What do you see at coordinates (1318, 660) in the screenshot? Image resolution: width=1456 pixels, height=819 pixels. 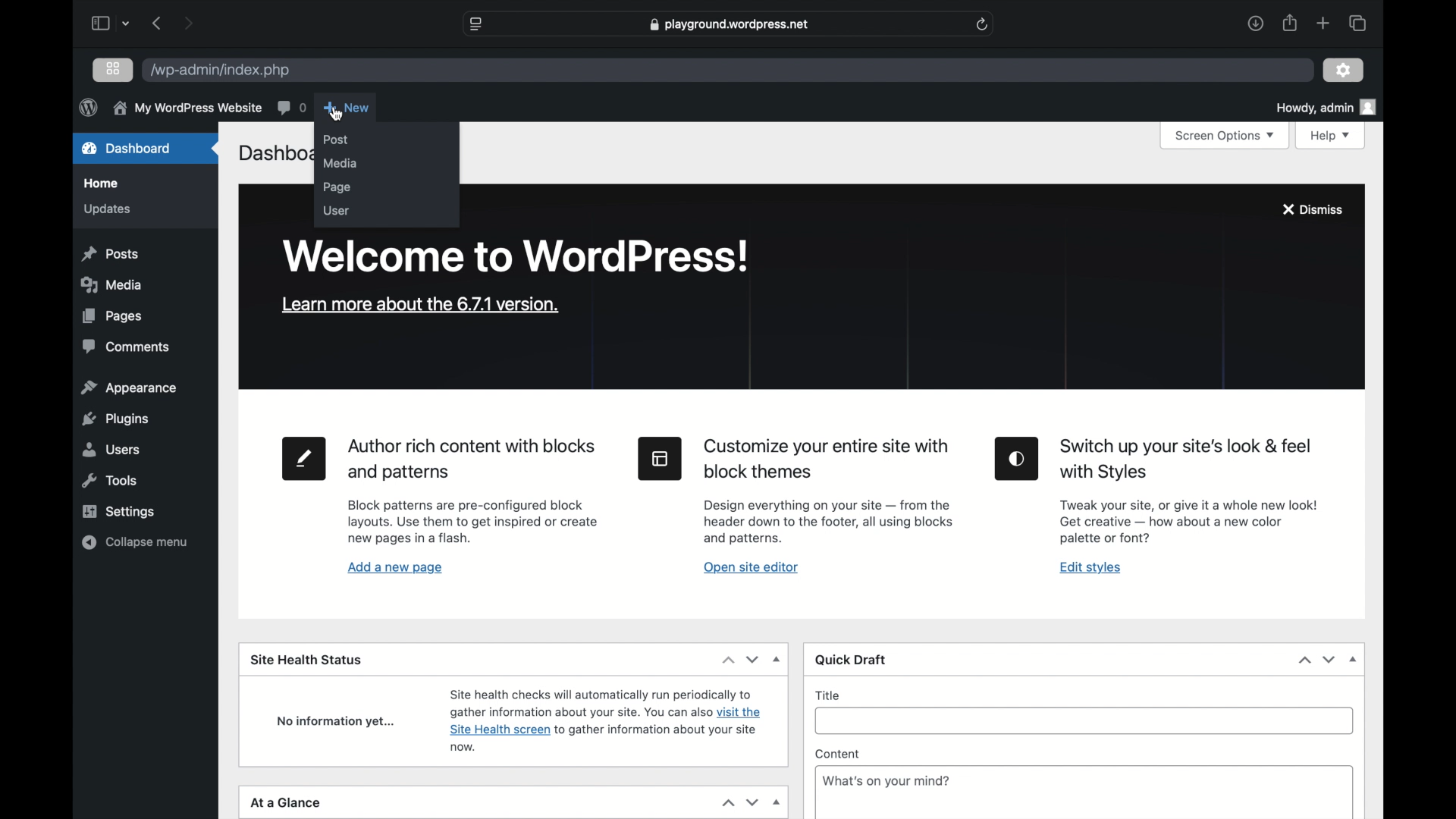 I see `stepper buttons` at bounding box center [1318, 660].